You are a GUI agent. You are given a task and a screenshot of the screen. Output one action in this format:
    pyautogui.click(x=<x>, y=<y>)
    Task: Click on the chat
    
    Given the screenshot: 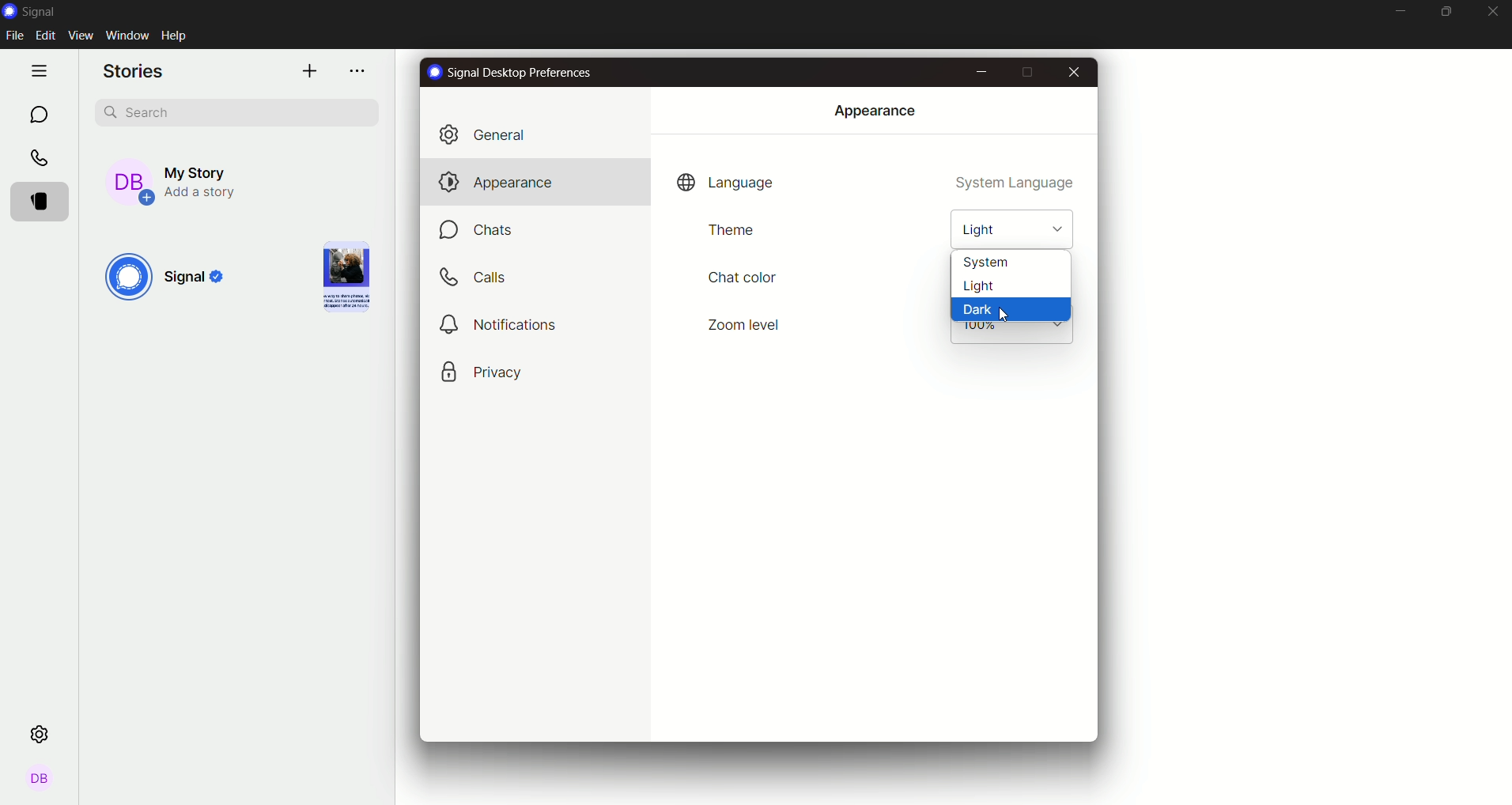 What is the action you would take?
    pyautogui.click(x=38, y=114)
    